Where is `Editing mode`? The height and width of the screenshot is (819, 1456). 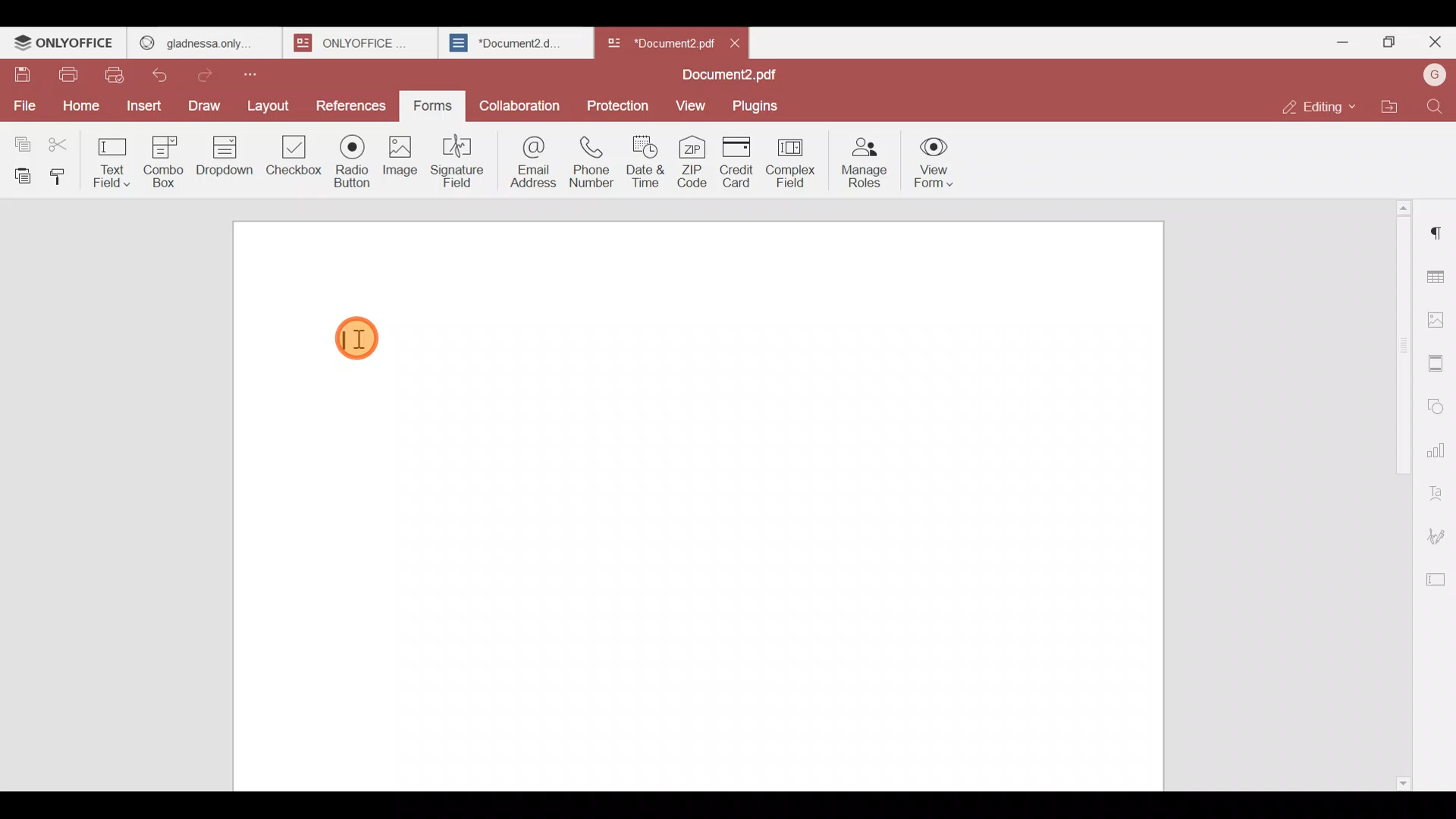
Editing mode is located at coordinates (1321, 102).